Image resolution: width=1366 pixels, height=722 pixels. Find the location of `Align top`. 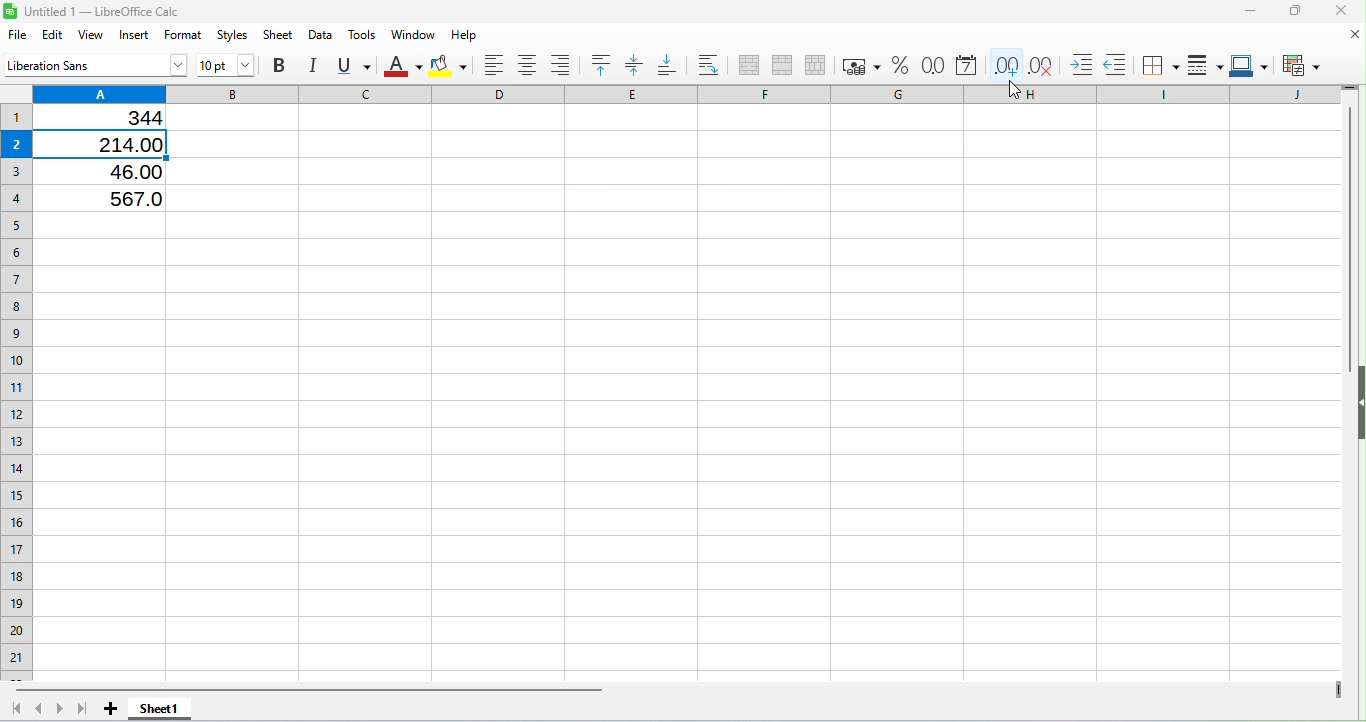

Align top is located at coordinates (604, 64).